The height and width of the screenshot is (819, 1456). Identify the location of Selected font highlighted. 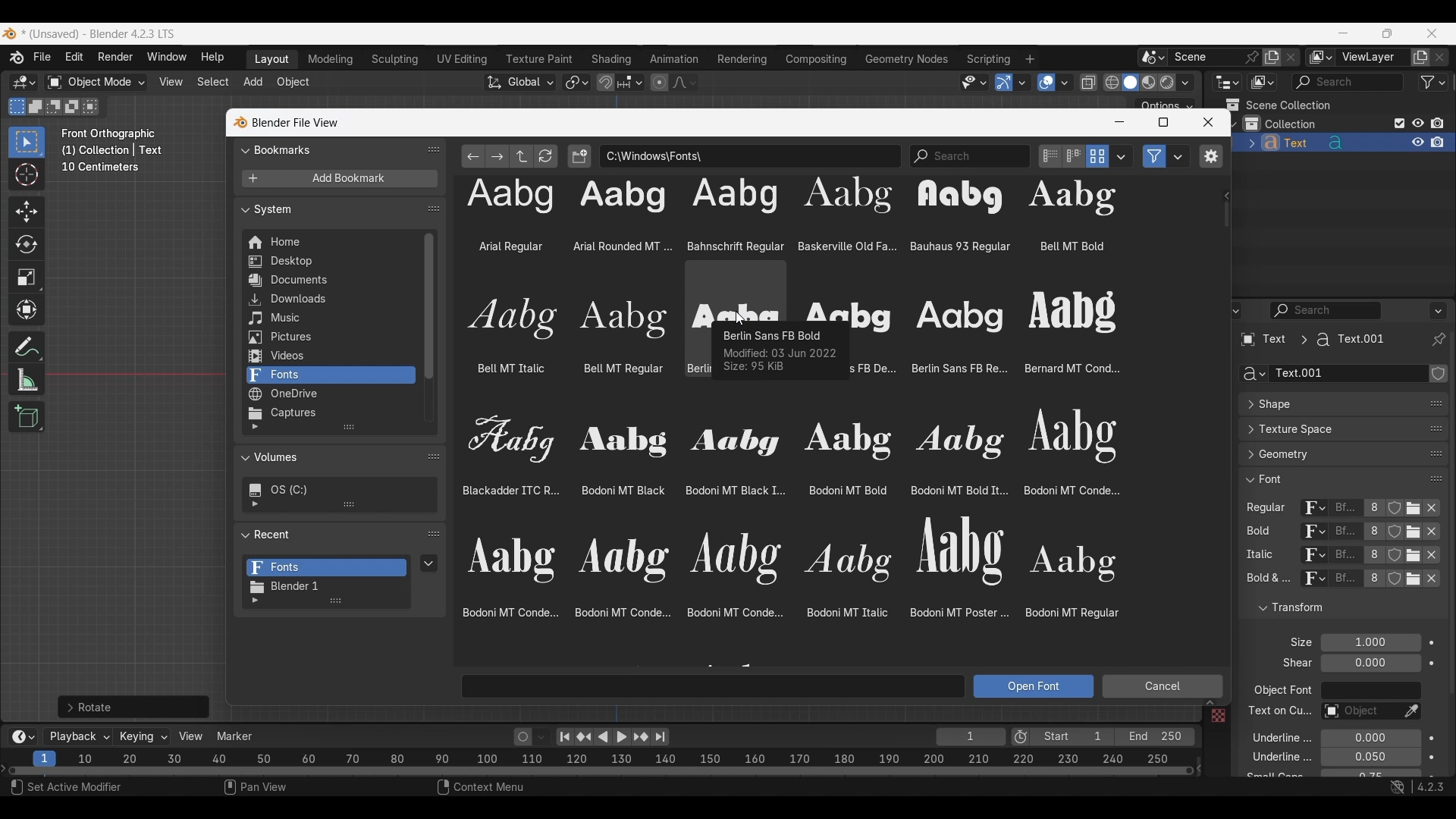
(736, 291).